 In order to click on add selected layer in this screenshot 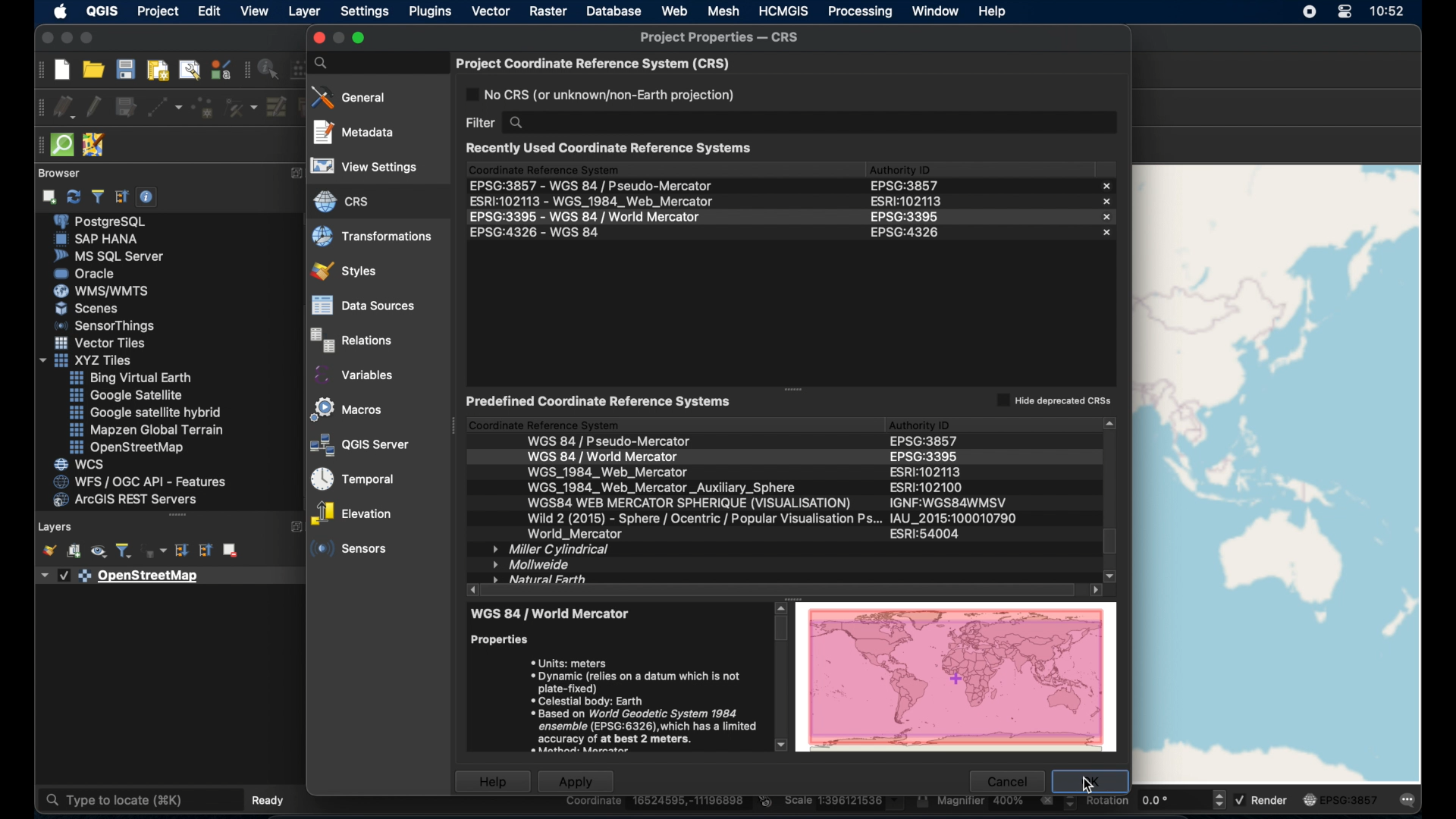, I will do `click(49, 199)`.